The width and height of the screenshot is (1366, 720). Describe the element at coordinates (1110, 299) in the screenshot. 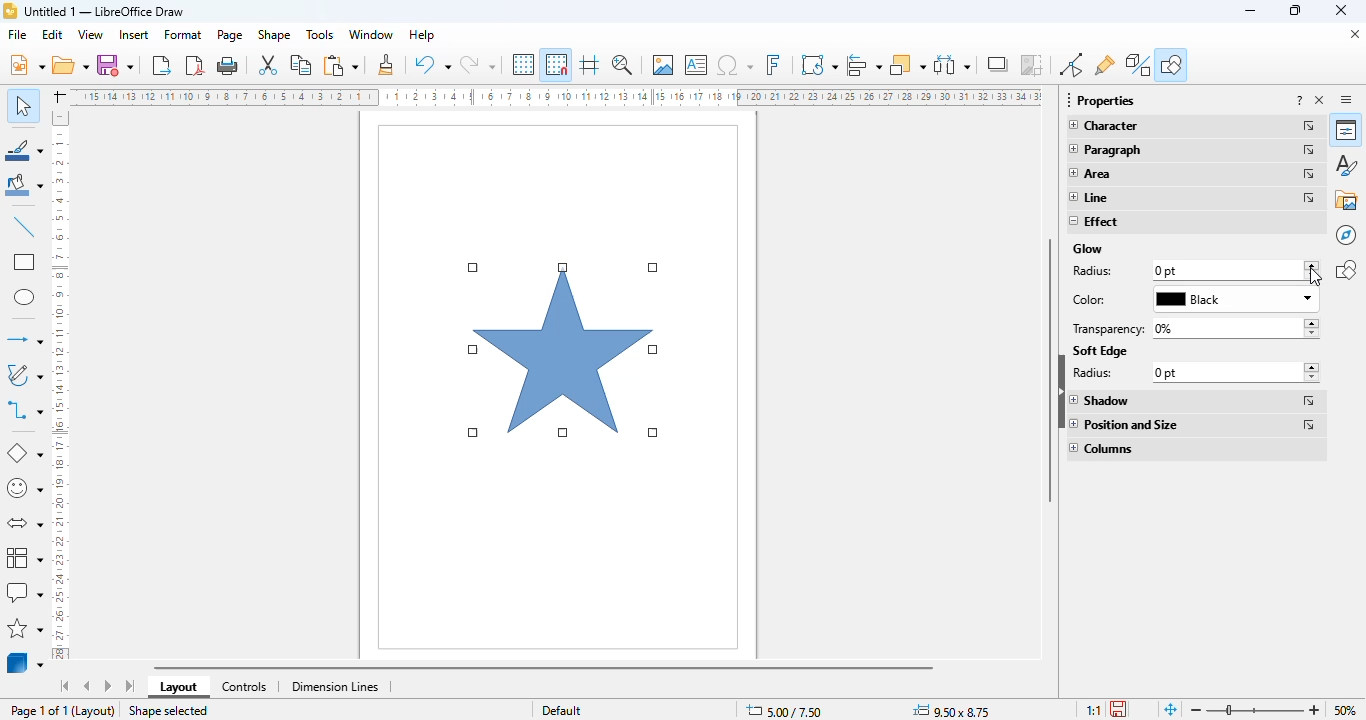

I see `color` at that location.